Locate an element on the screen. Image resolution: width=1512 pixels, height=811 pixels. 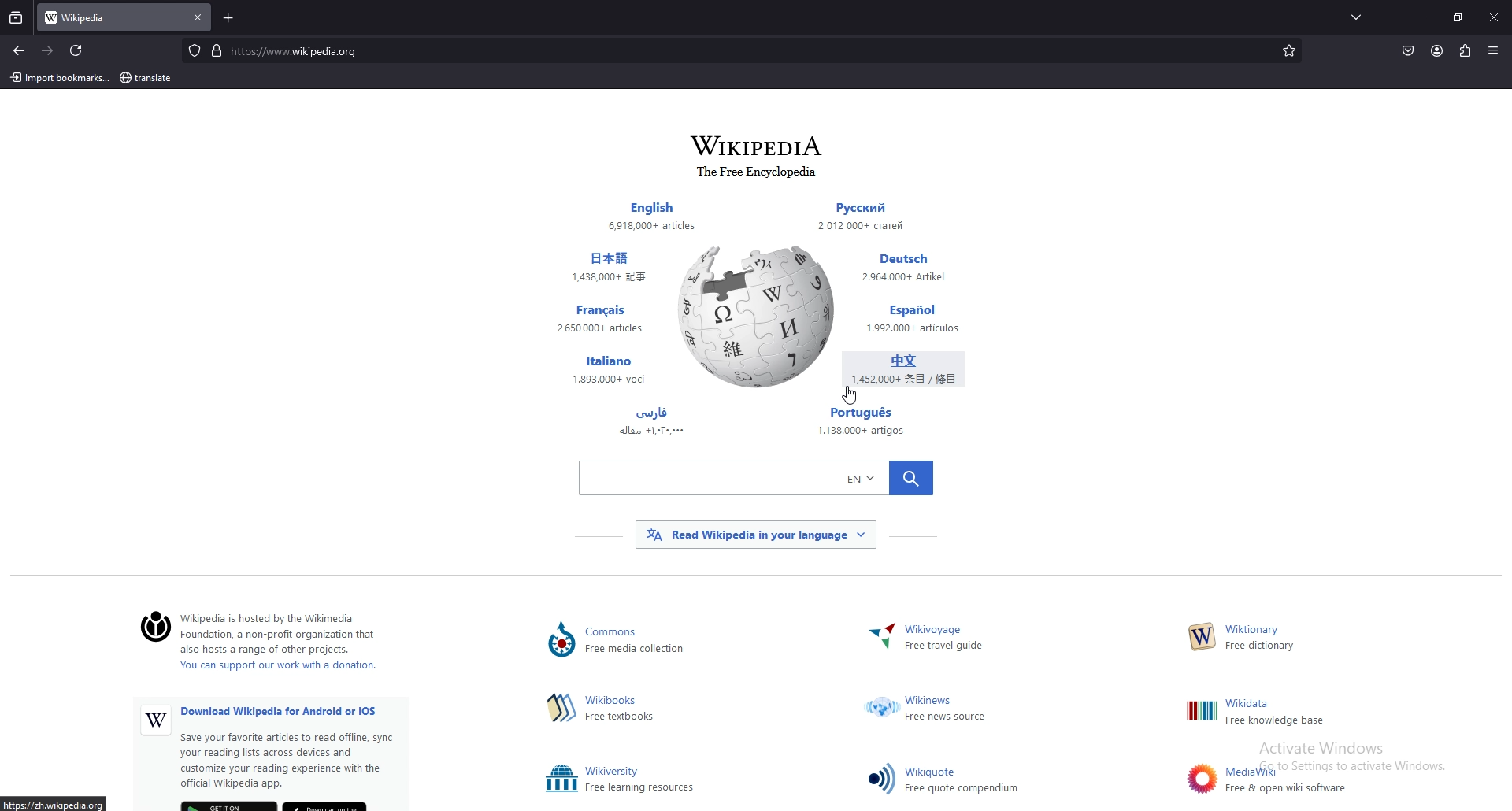
bookmarks is located at coordinates (1288, 50).